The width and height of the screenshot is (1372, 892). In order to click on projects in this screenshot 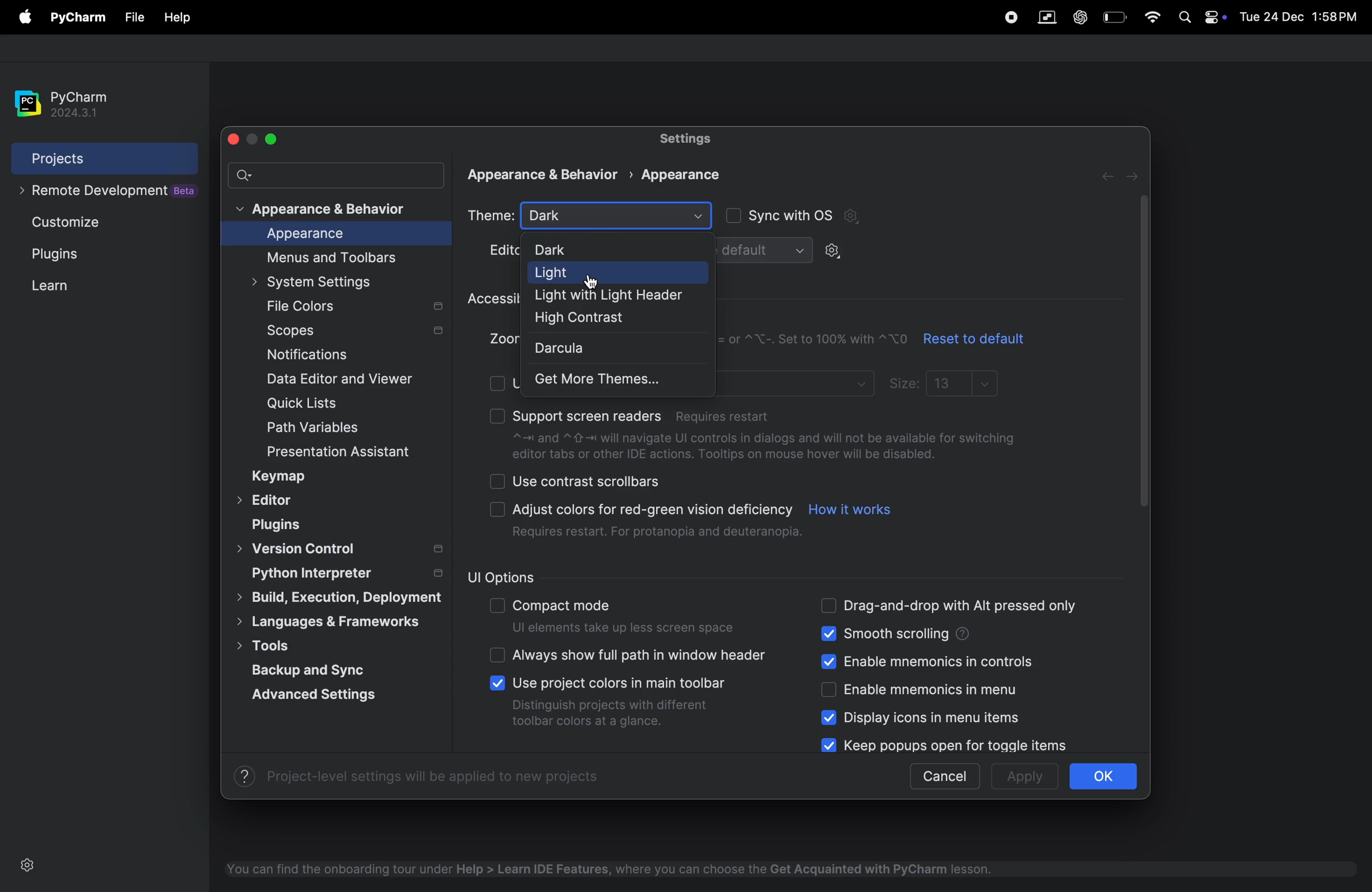, I will do `click(89, 158)`.